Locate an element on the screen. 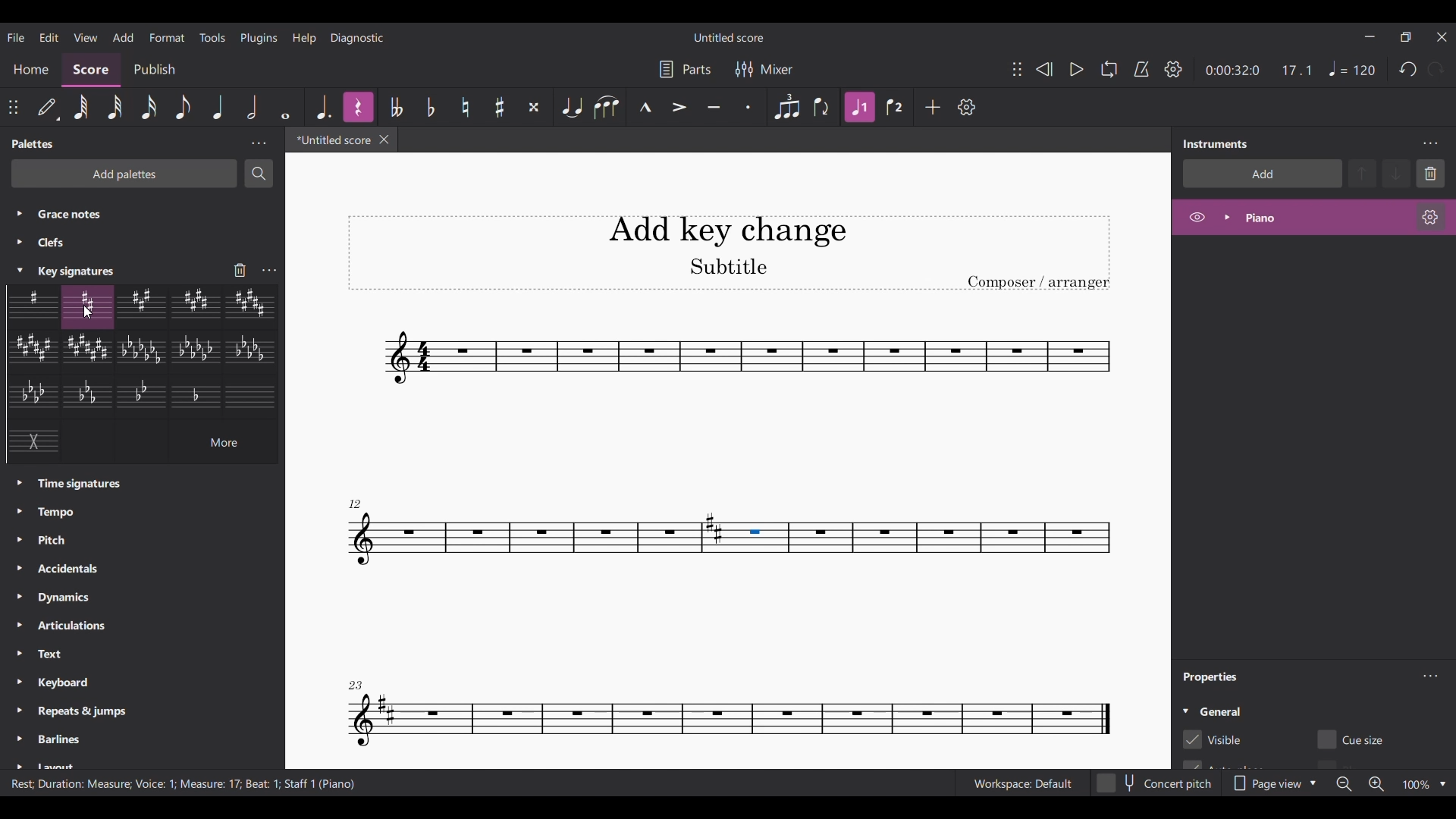  Workspace: default is located at coordinates (1022, 784).